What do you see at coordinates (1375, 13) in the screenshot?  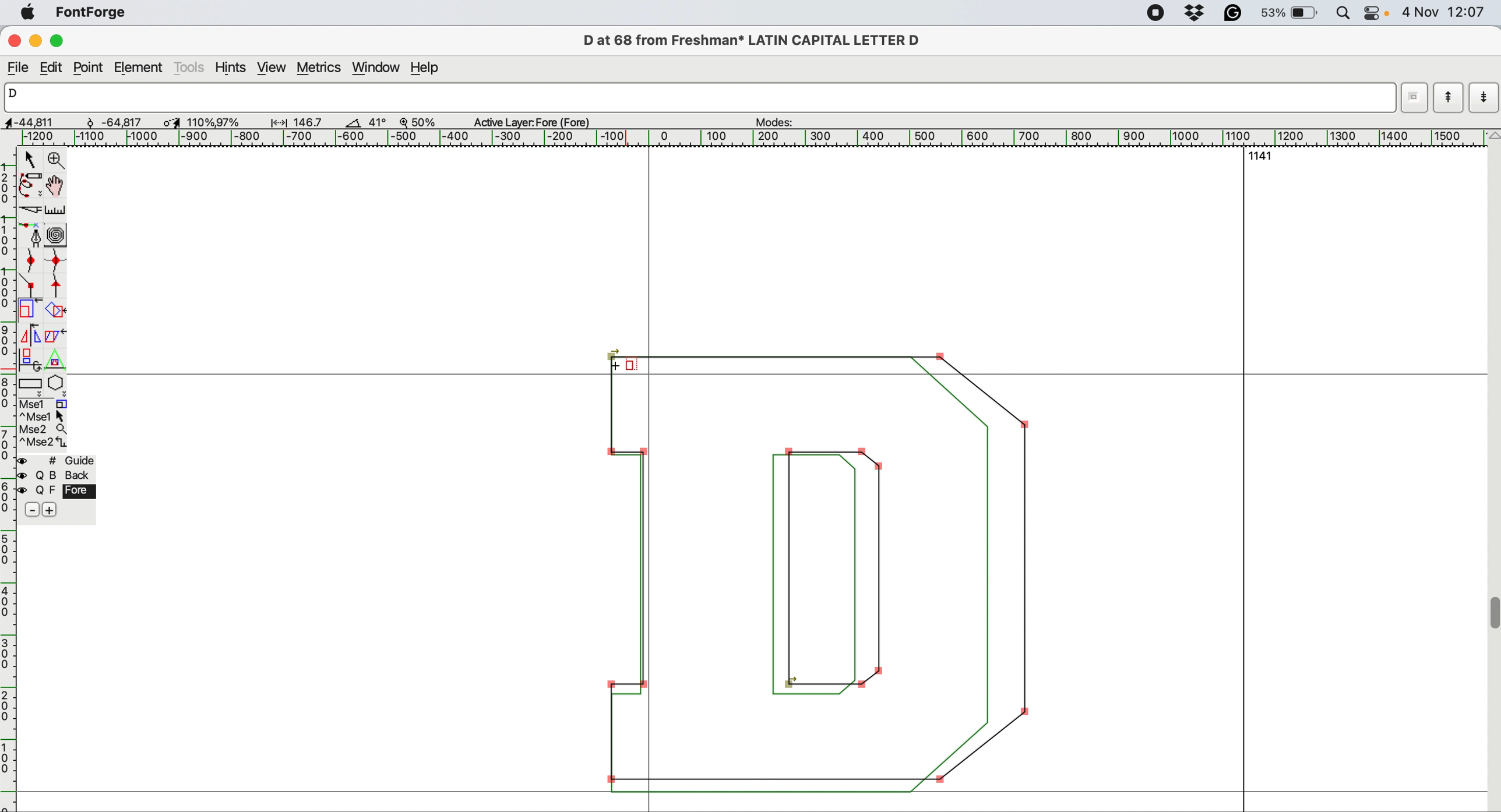 I see `control center` at bounding box center [1375, 13].